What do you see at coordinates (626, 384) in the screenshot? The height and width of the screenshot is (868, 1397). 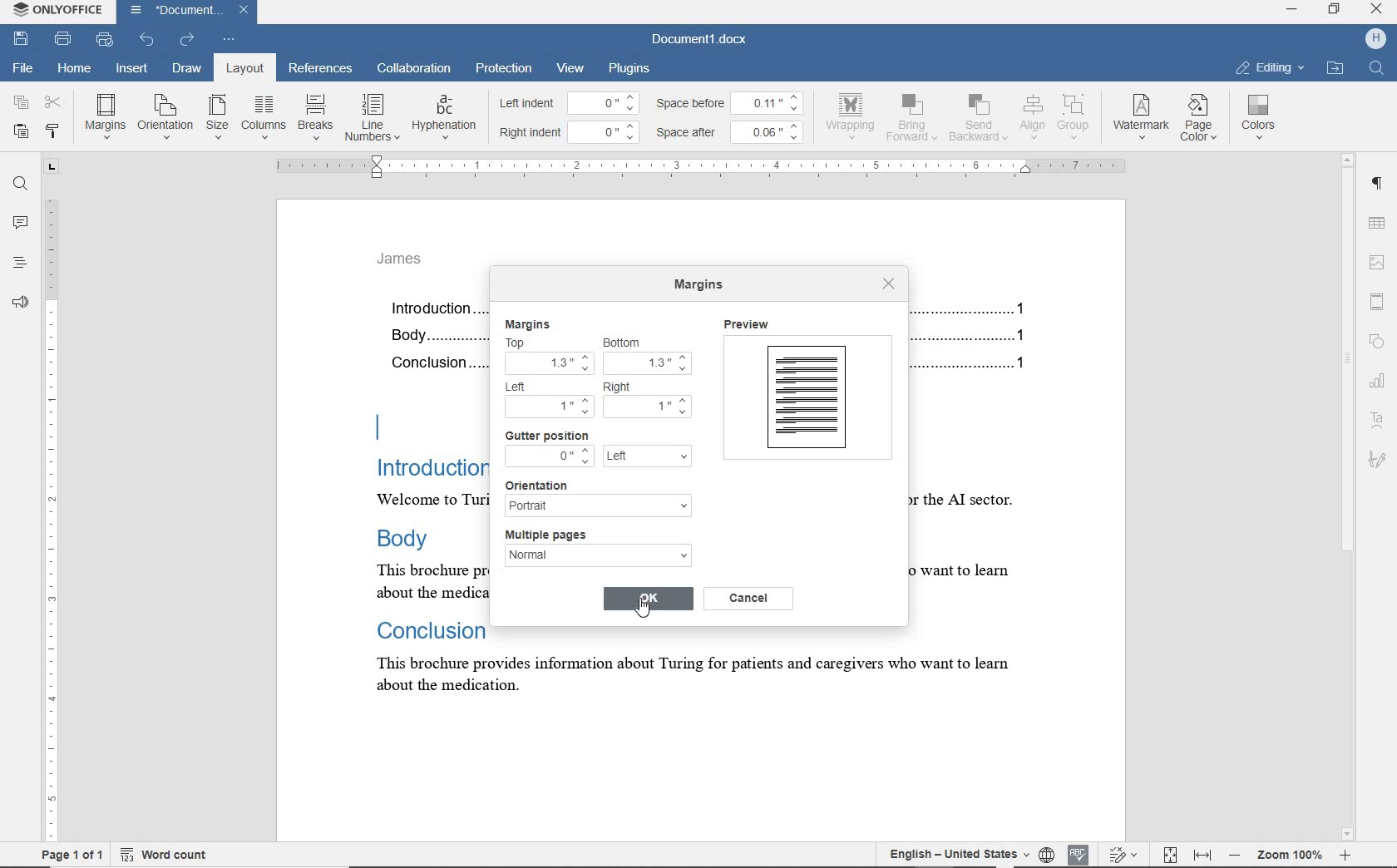 I see `right` at bounding box center [626, 384].